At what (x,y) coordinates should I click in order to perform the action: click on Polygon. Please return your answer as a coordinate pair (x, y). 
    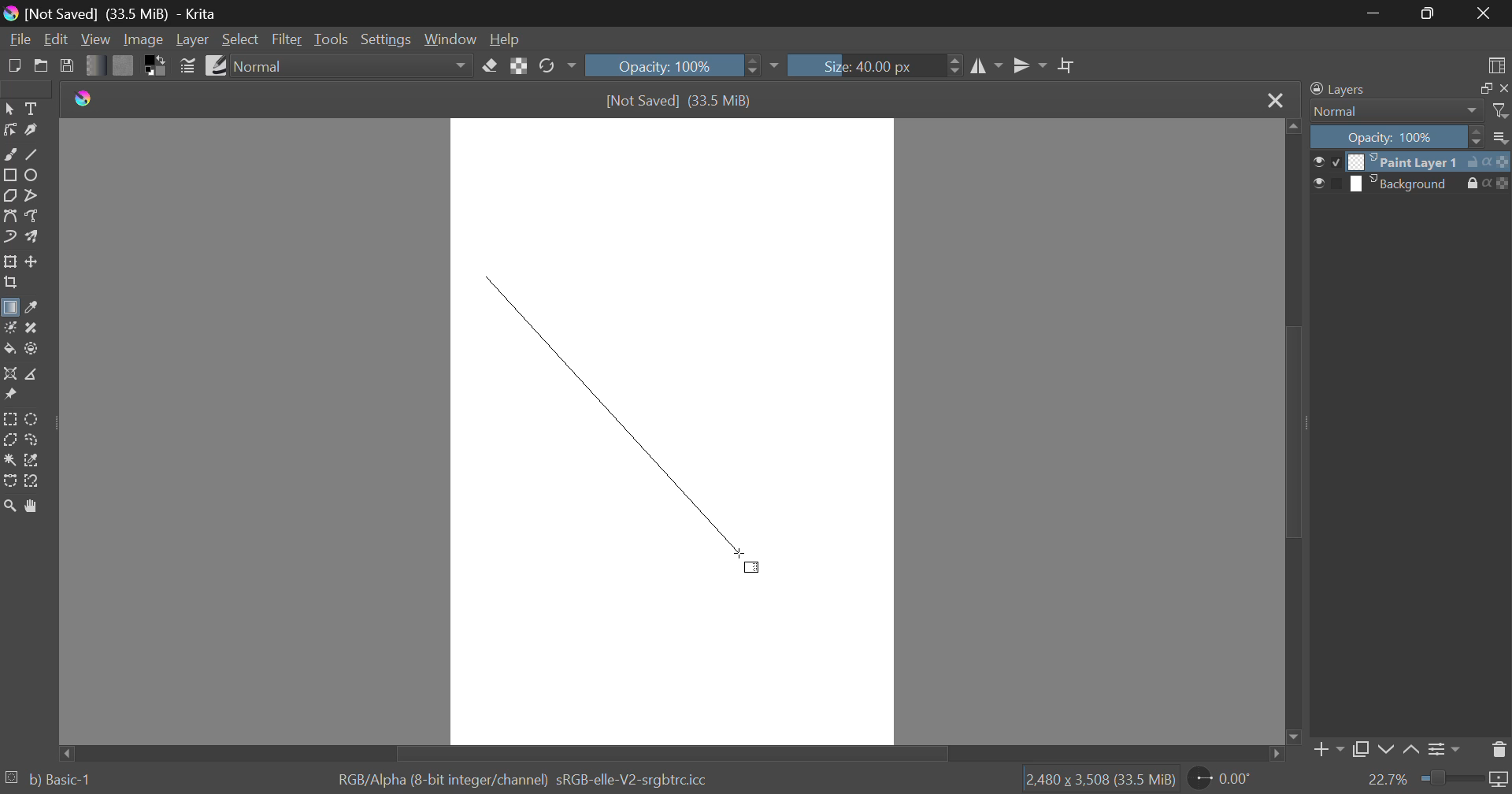
    Looking at the image, I should click on (9, 195).